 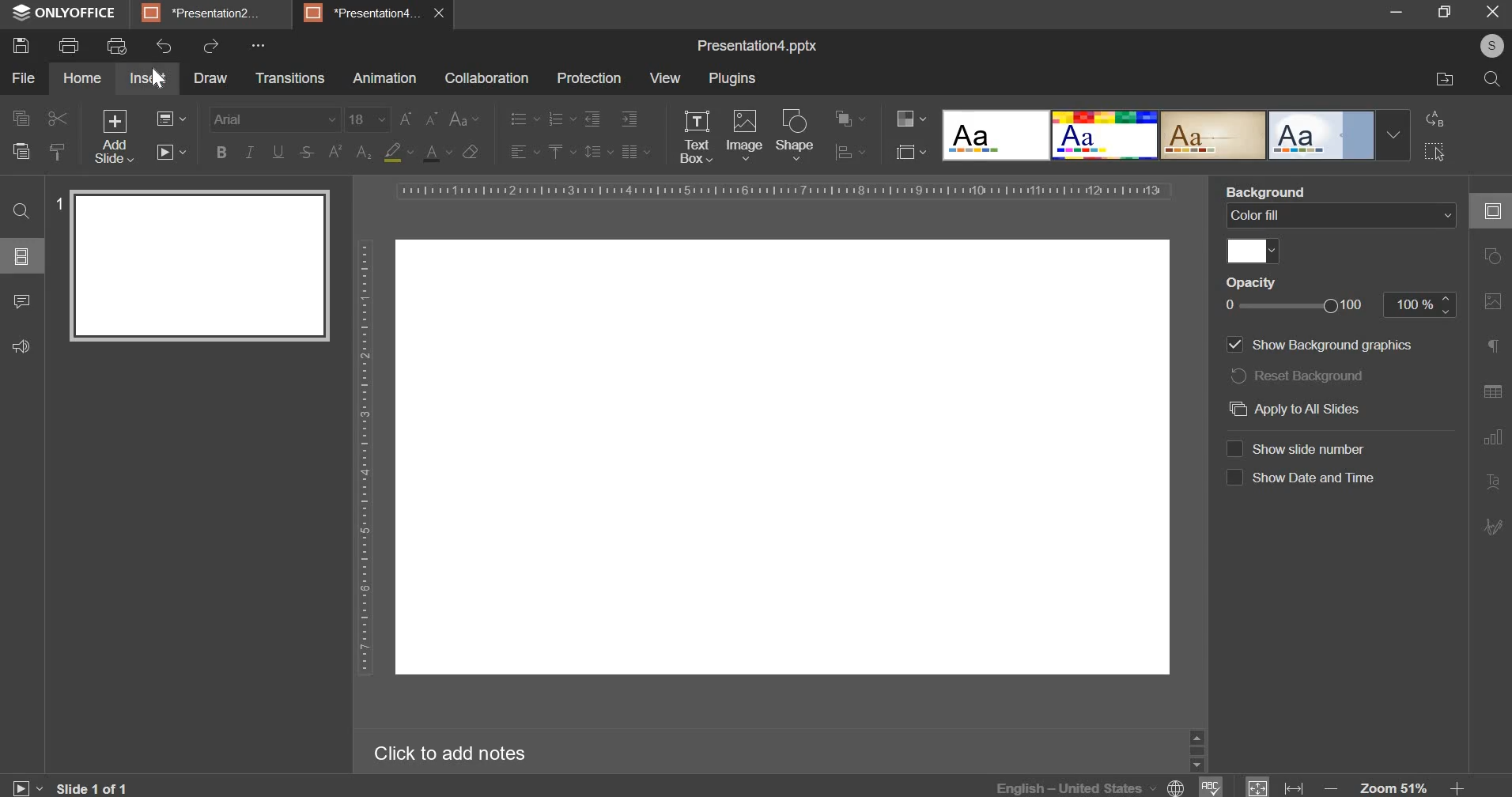 What do you see at coordinates (1439, 119) in the screenshot?
I see `replace` at bounding box center [1439, 119].